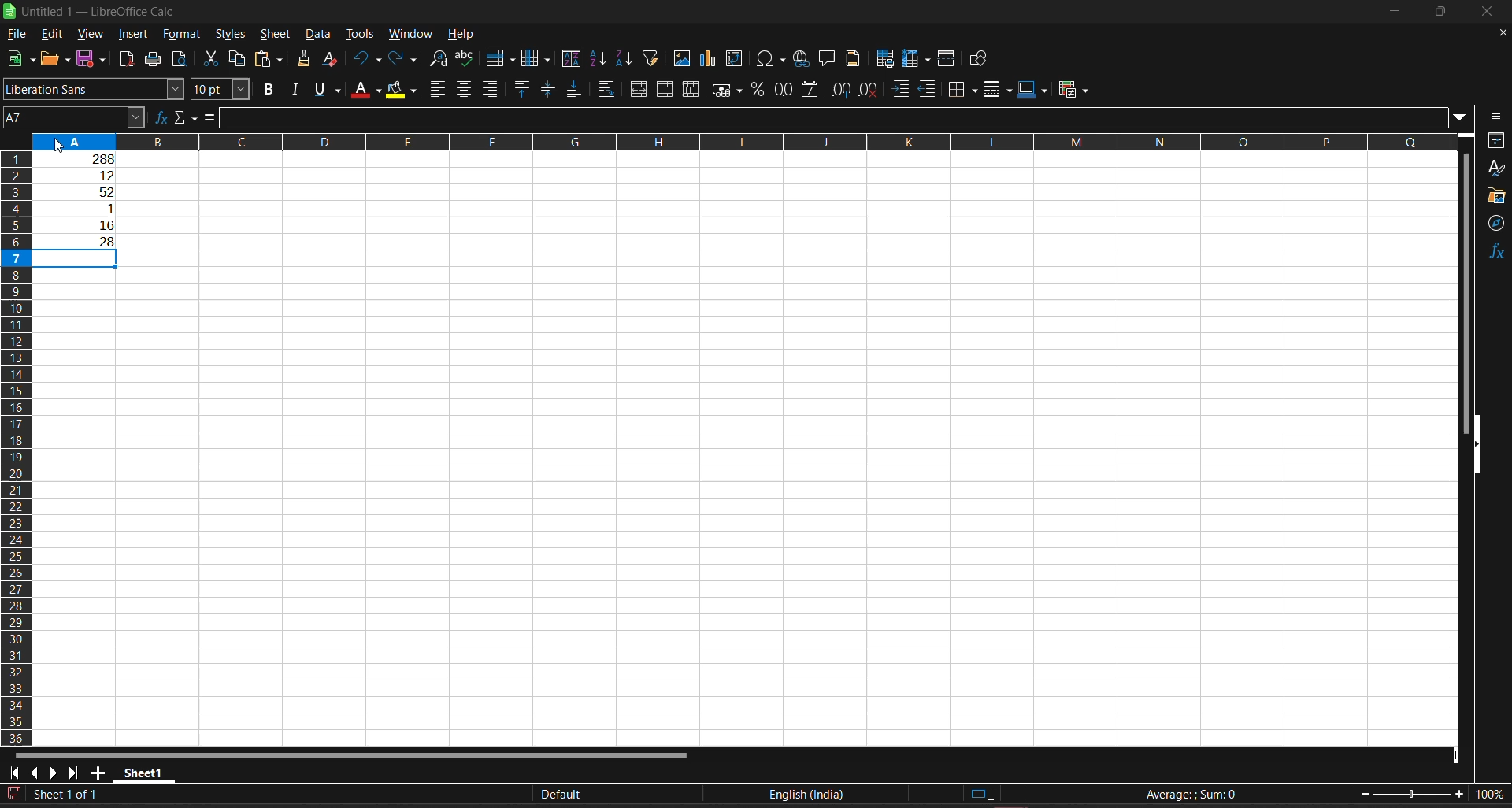 This screenshot has height=808, width=1512. Describe the element at coordinates (607, 90) in the screenshot. I see `wrap text` at that location.